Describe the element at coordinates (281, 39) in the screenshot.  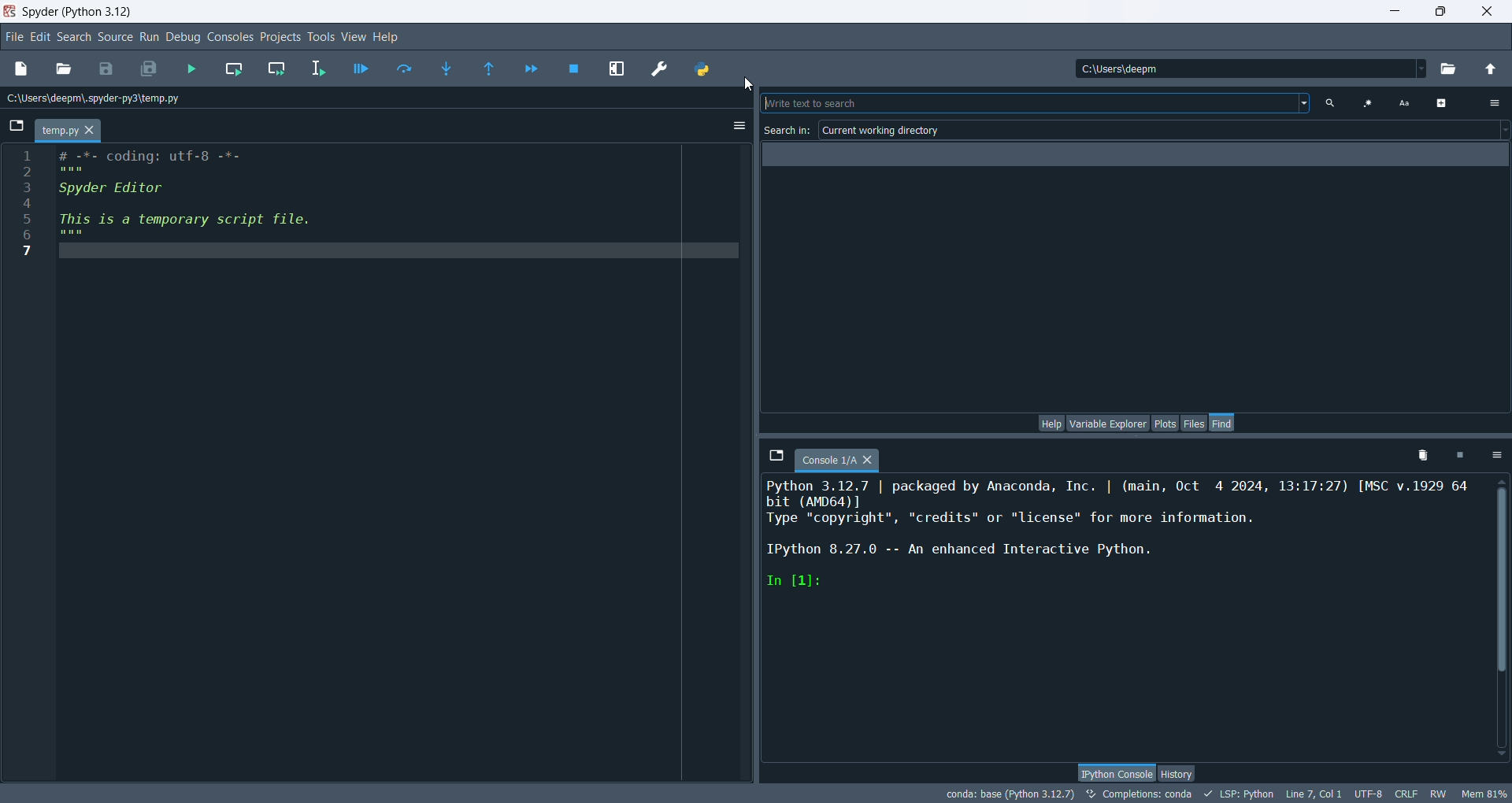
I see `projects` at that location.